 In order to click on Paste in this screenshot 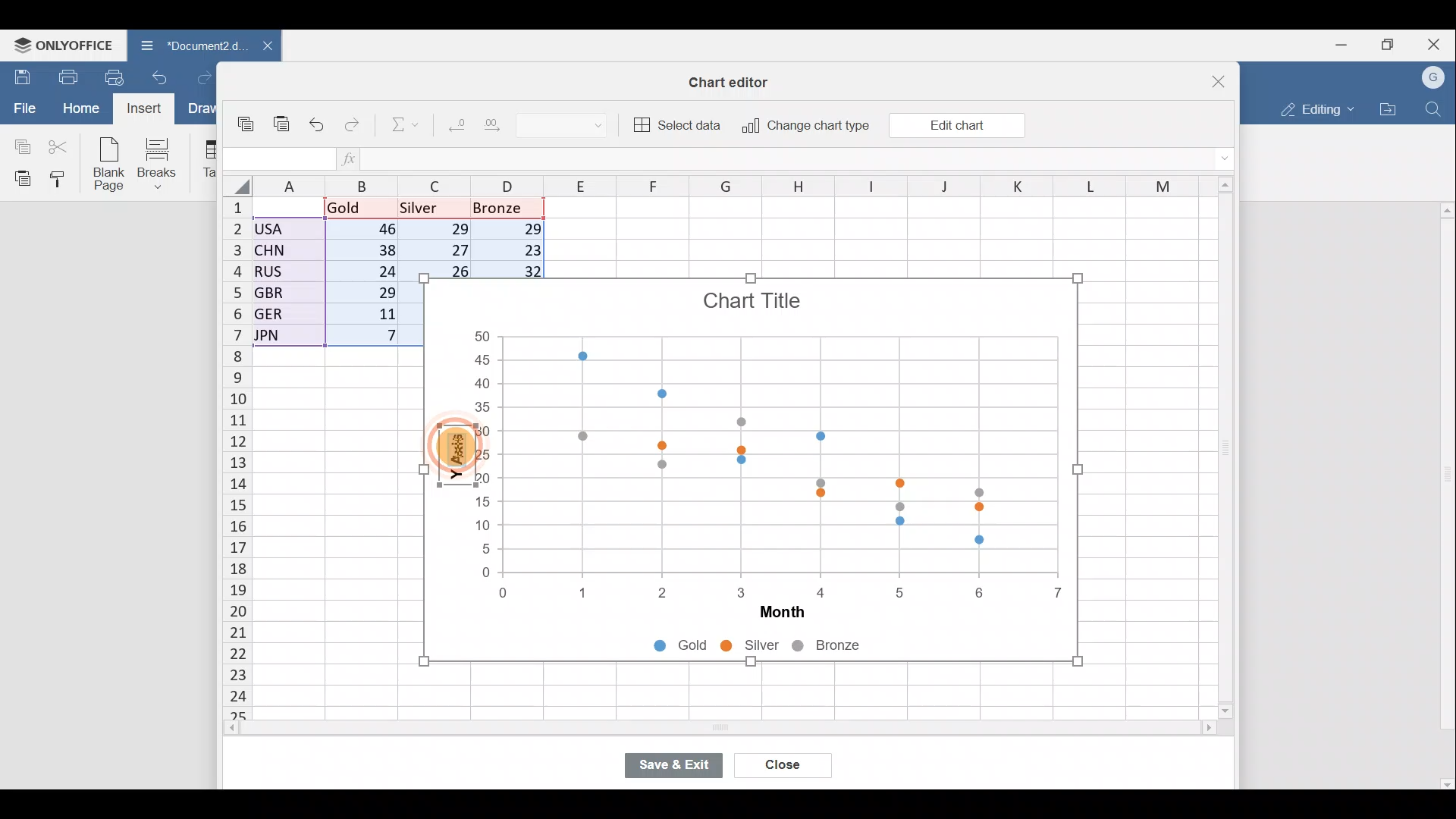, I will do `click(281, 117)`.